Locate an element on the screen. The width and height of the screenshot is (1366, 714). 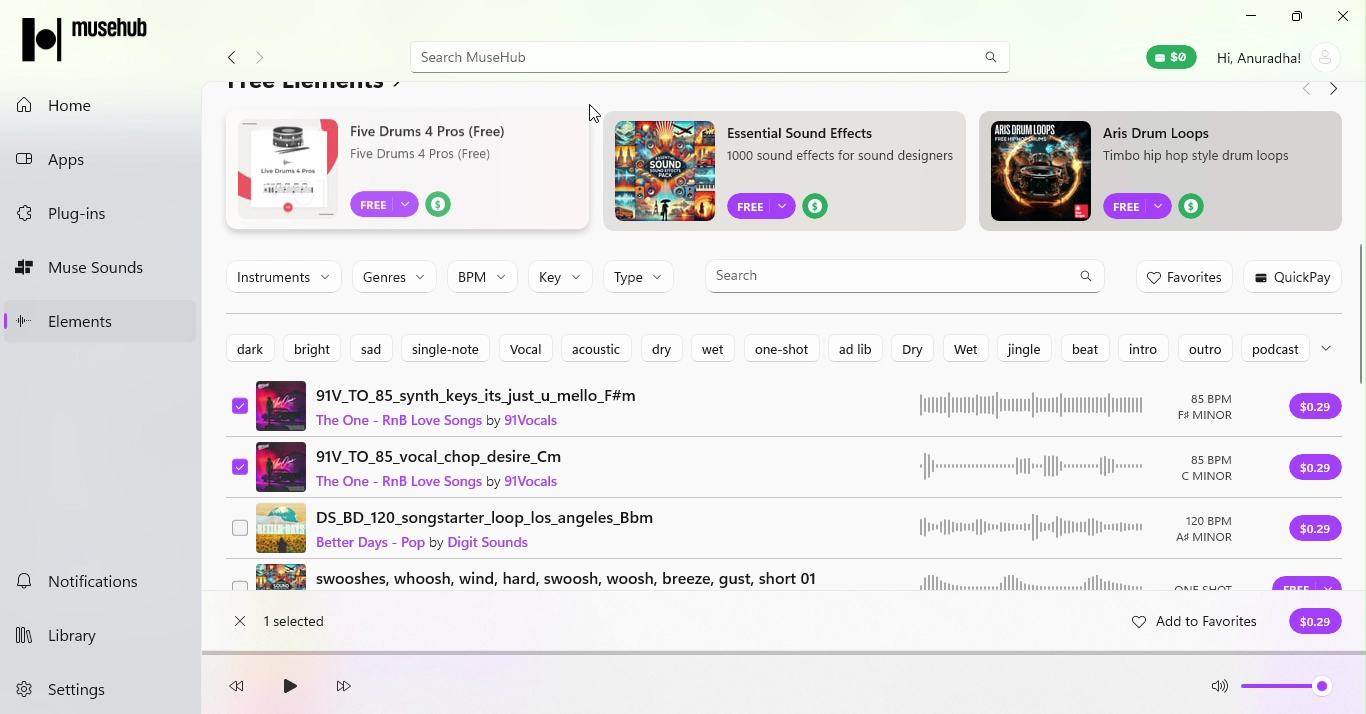
Select music is located at coordinates (240, 409).